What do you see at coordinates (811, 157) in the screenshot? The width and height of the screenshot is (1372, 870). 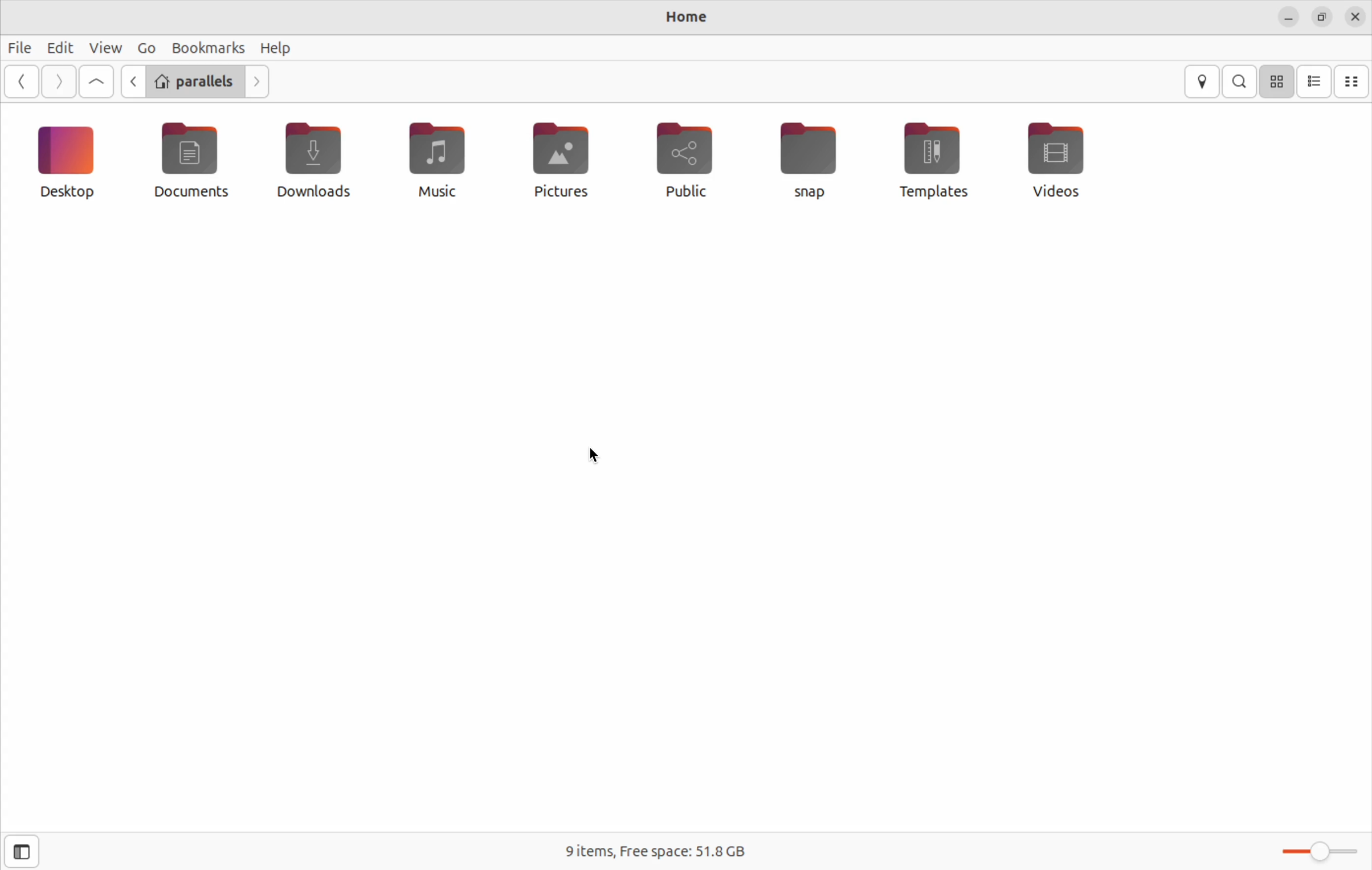 I see `Snap file` at bounding box center [811, 157].